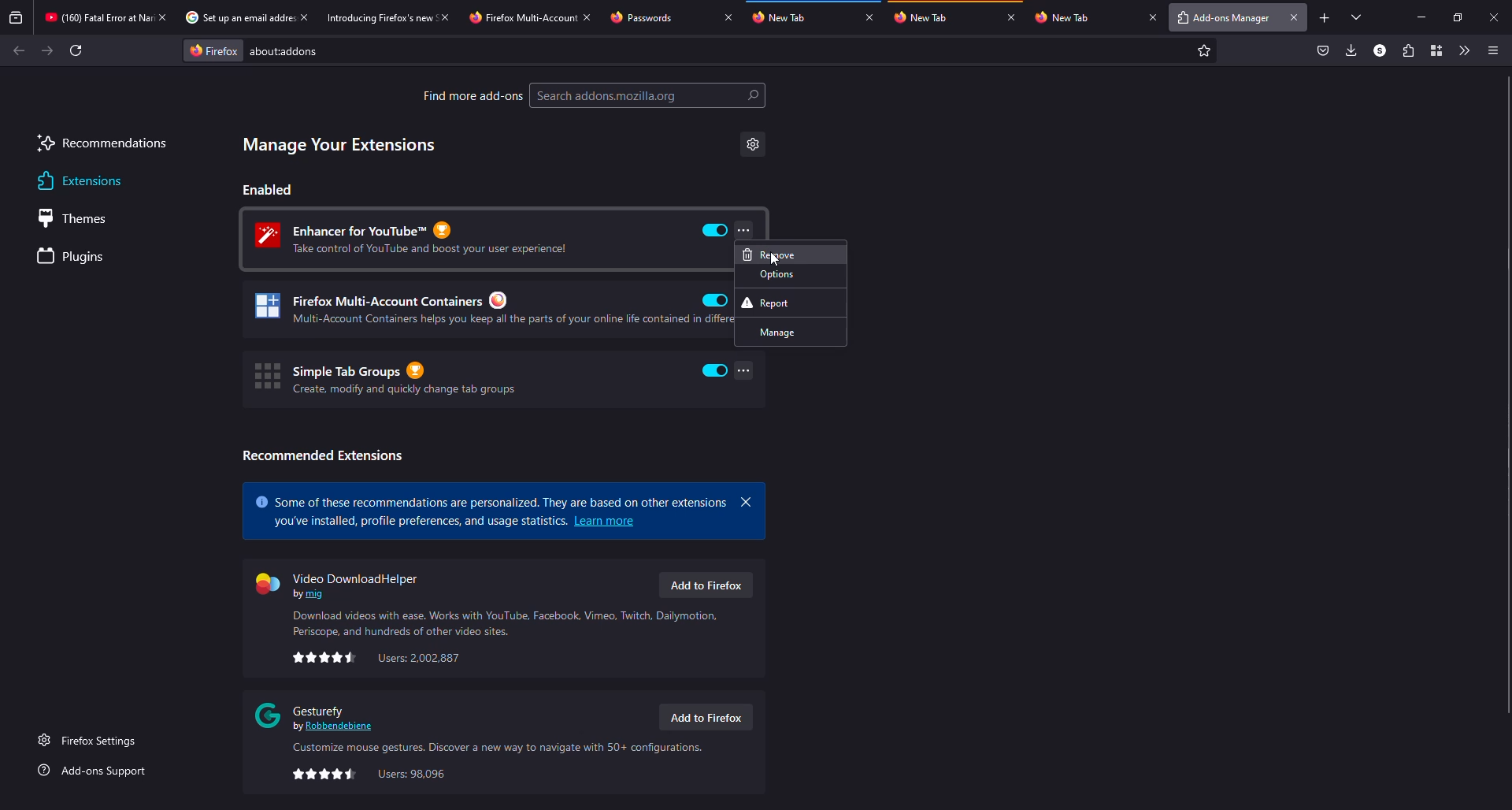  Describe the element at coordinates (384, 378) in the screenshot. I see `simple tab groups` at that location.